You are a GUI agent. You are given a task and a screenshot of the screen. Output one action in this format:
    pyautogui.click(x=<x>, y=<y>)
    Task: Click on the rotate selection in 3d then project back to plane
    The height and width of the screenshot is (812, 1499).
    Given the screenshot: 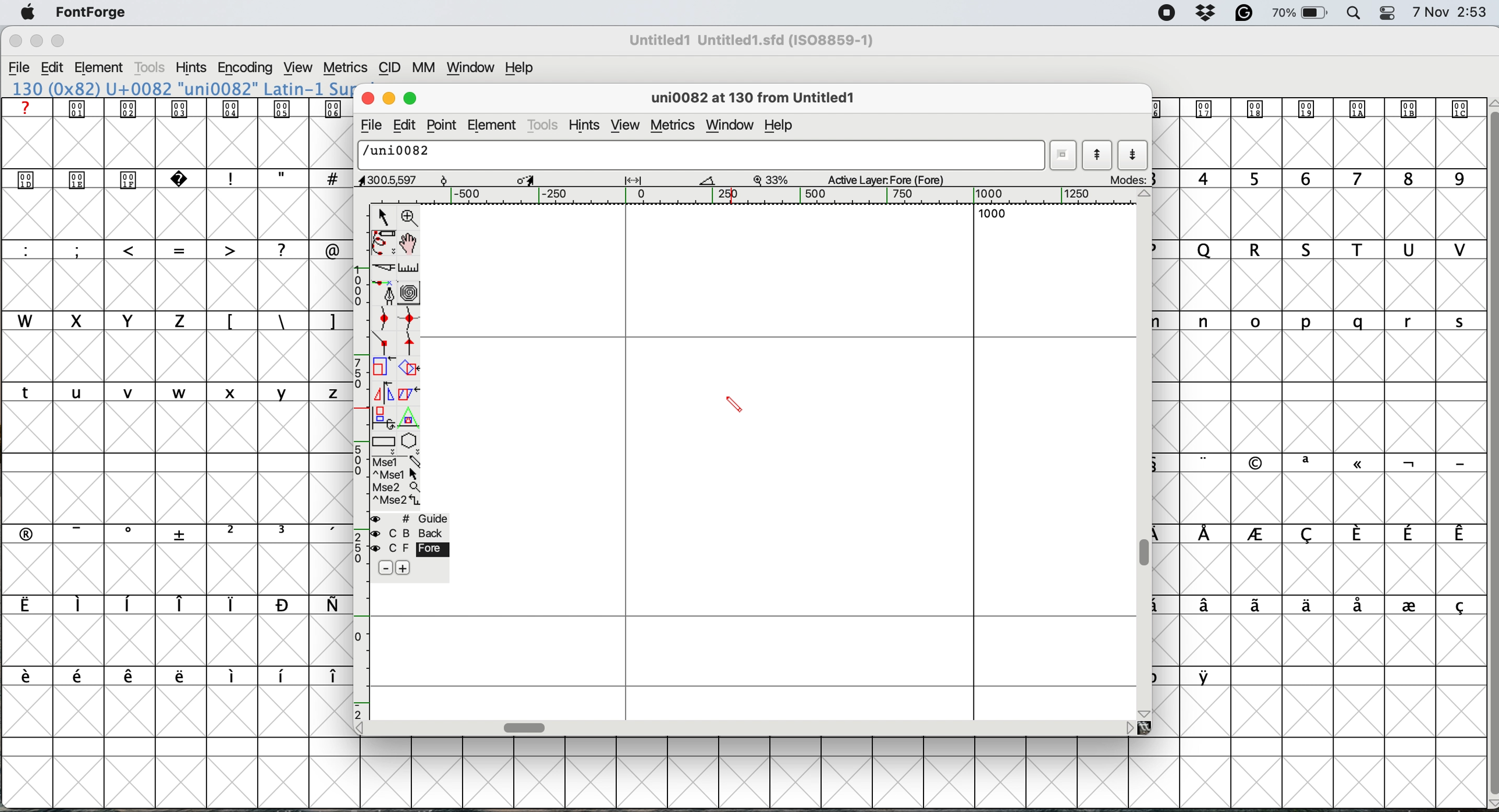 What is the action you would take?
    pyautogui.click(x=384, y=418)
    